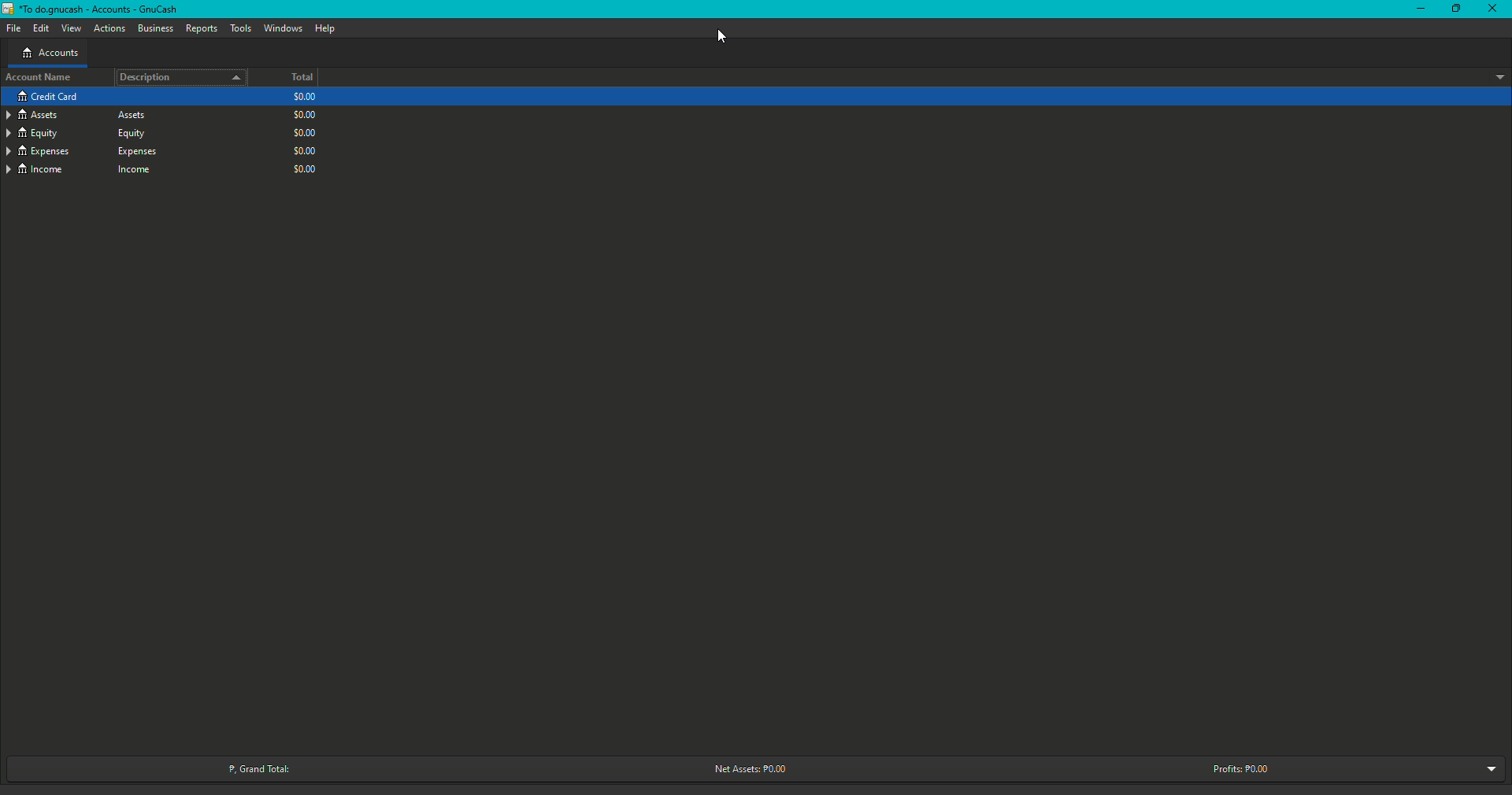 The image size is (1512, 795). I want to click on Accounts, so click(53, 54).